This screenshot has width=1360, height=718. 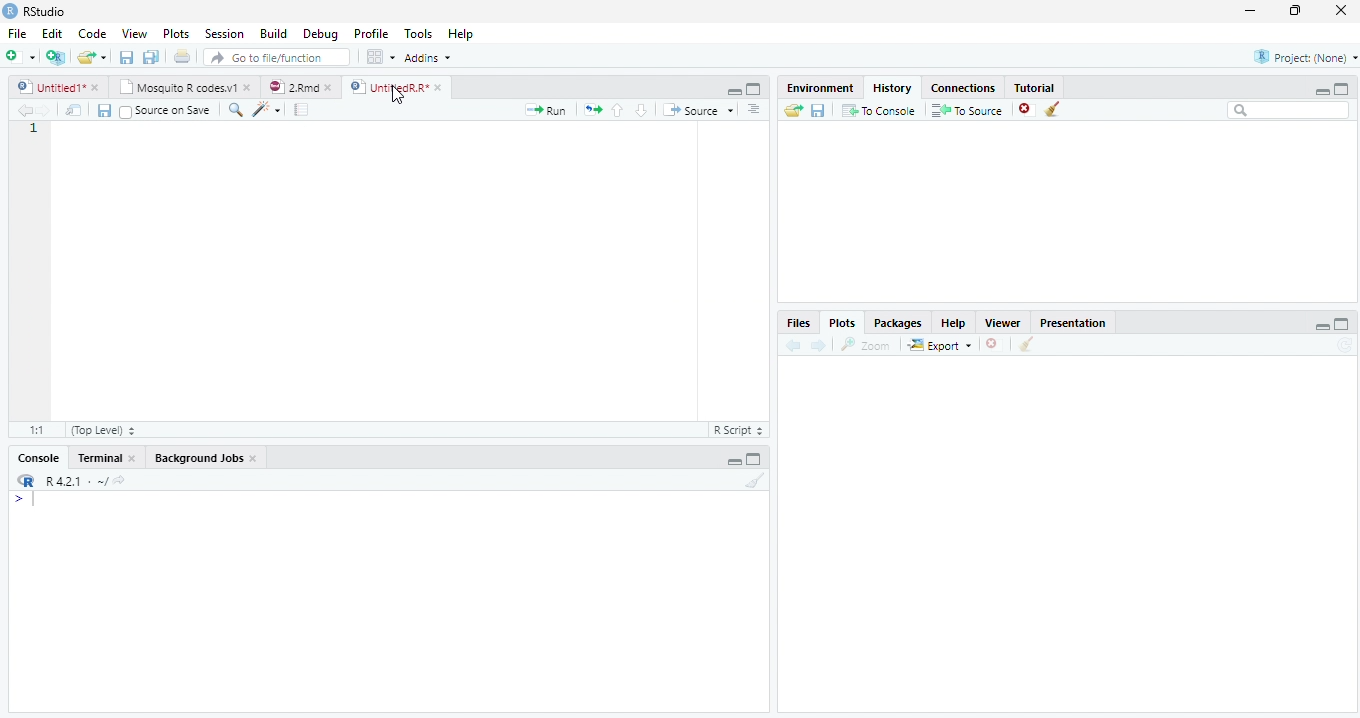 What do you see at coordinates (994, 343) in the screenshot?
I see `delete ` at bounding box center [994, 343].